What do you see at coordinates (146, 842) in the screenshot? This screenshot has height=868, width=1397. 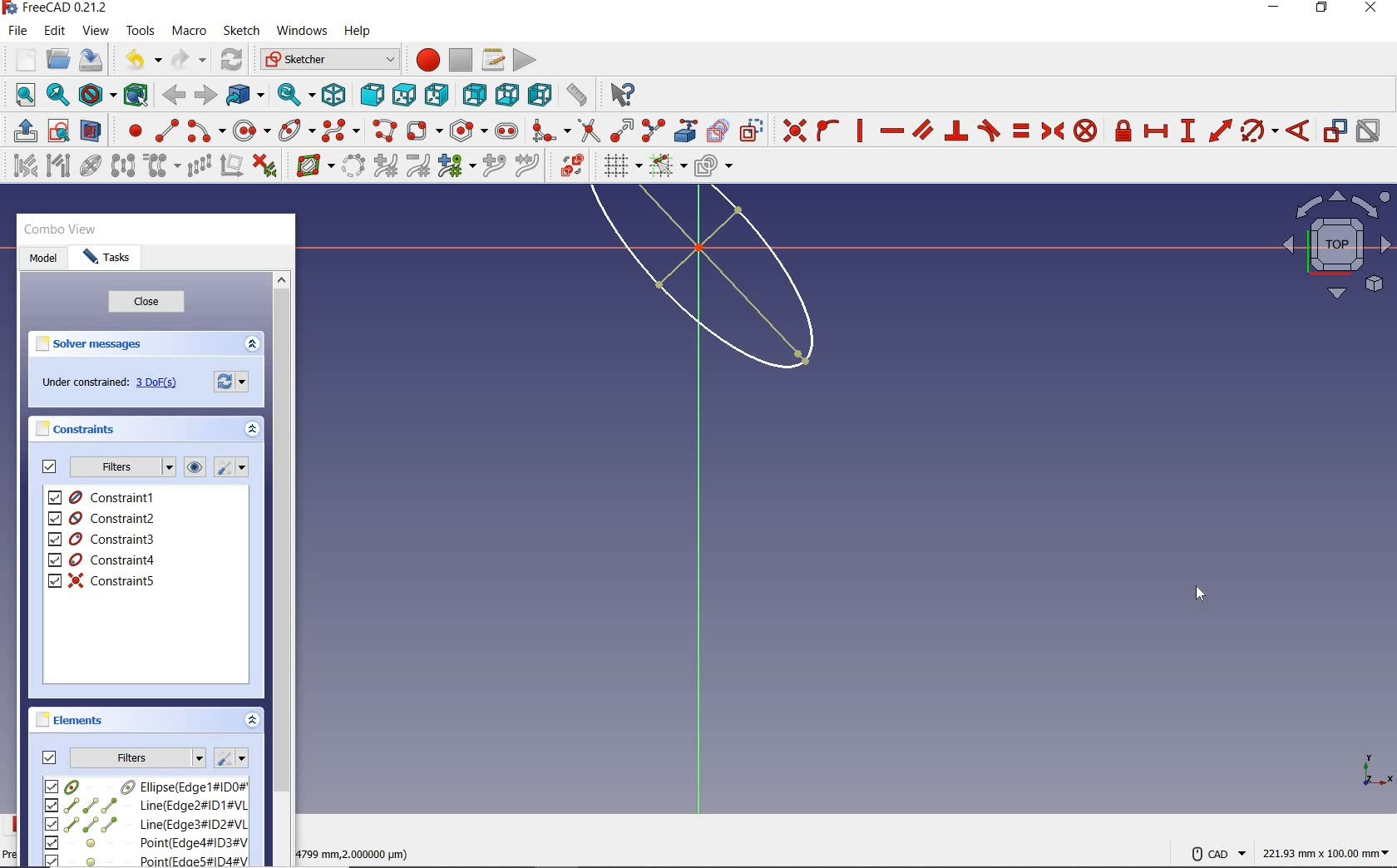 I see `element4` at bounding box center [146, 842].